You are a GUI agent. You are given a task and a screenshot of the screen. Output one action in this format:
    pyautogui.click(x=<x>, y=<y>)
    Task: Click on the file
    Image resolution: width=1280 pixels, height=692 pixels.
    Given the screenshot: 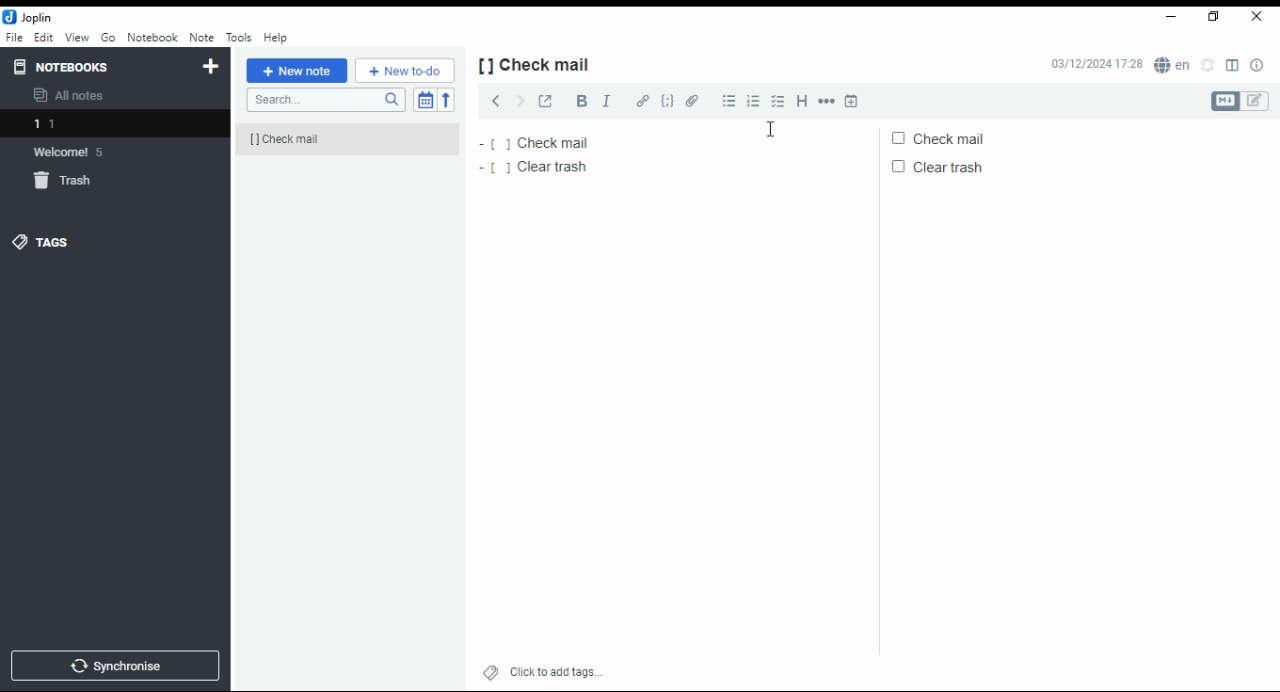 What is the action you would take?
    pyautogui.click(x=14, y=38)
    